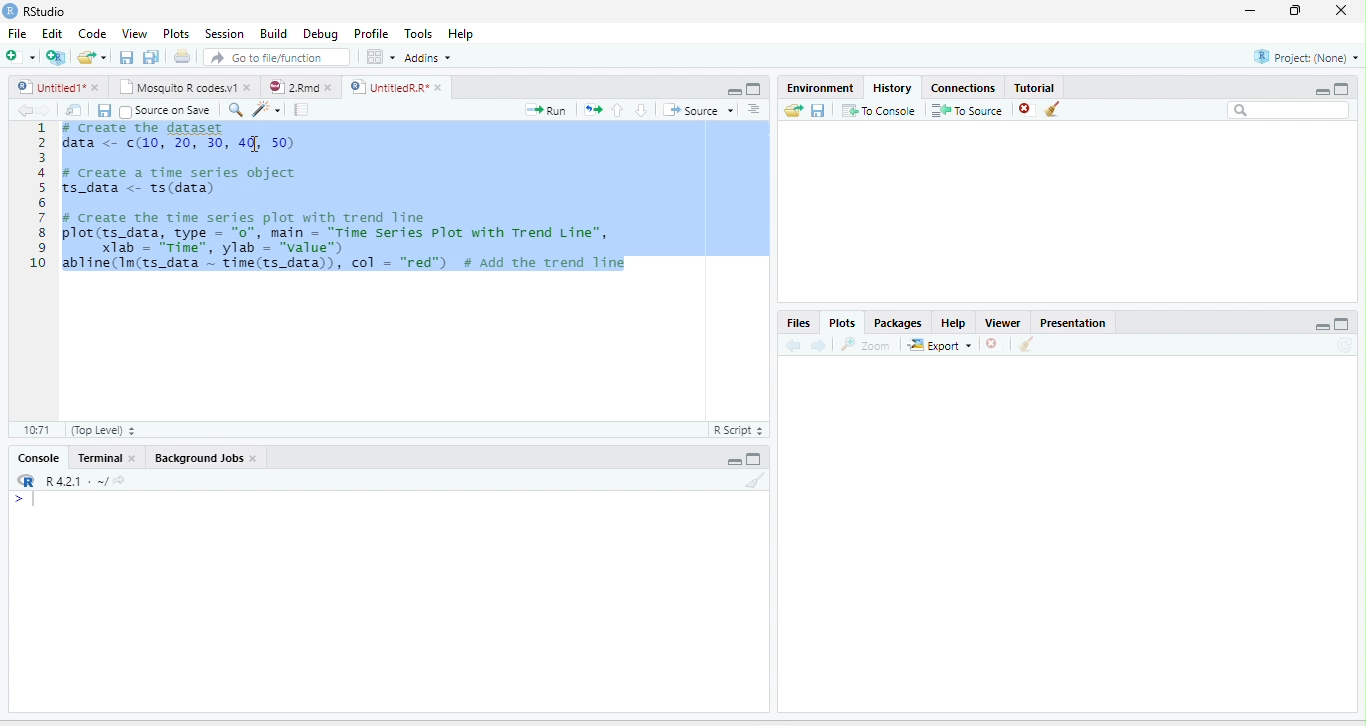  What do you see at coordinates (1304, 57) in the screenshot?
I see `Project: (None)` at bounding box center [1304, 57].